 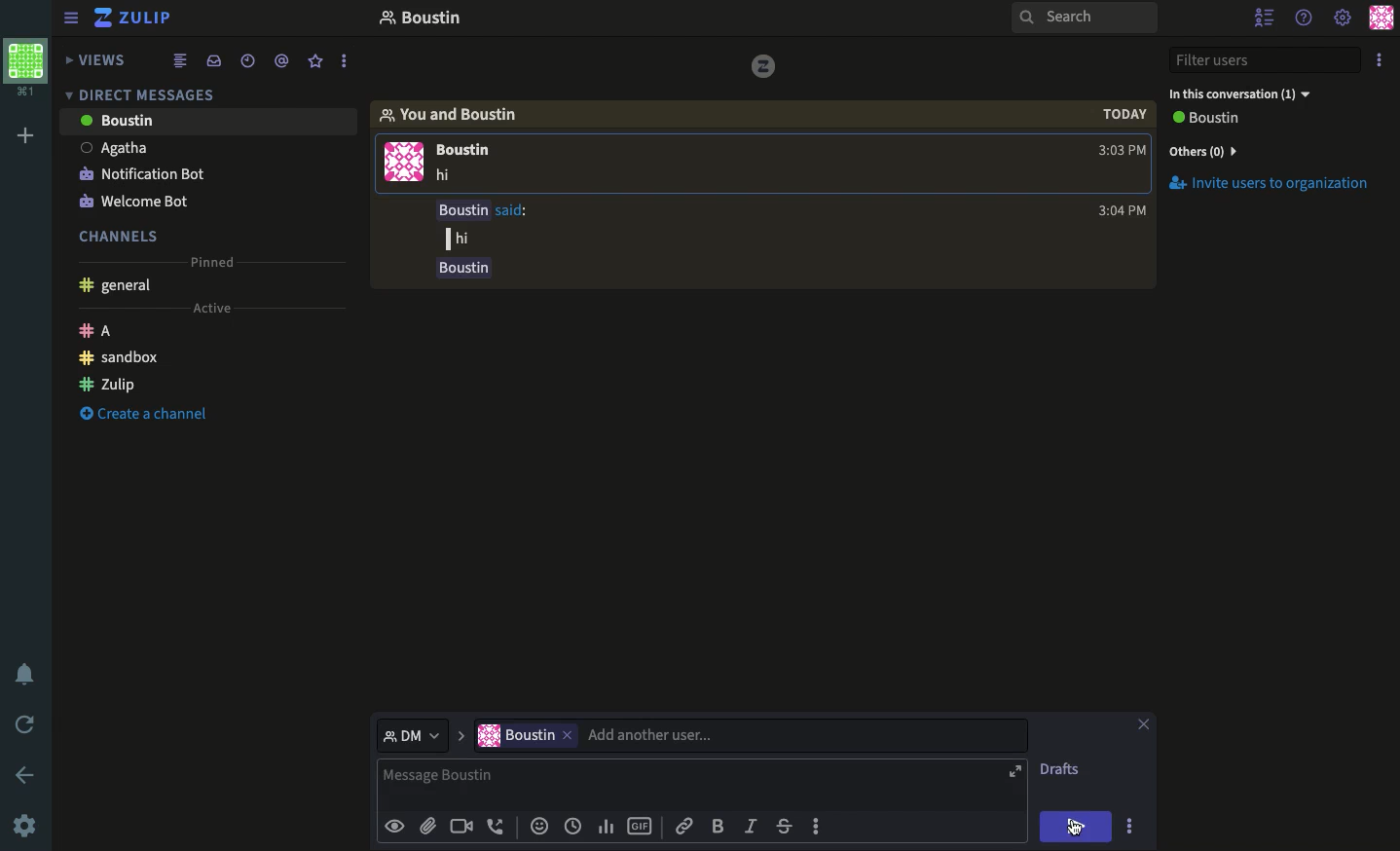 What do you see at coordinates (1079, 826) in the screenshot?
I see `Send` at bounding box center [1079, 826].